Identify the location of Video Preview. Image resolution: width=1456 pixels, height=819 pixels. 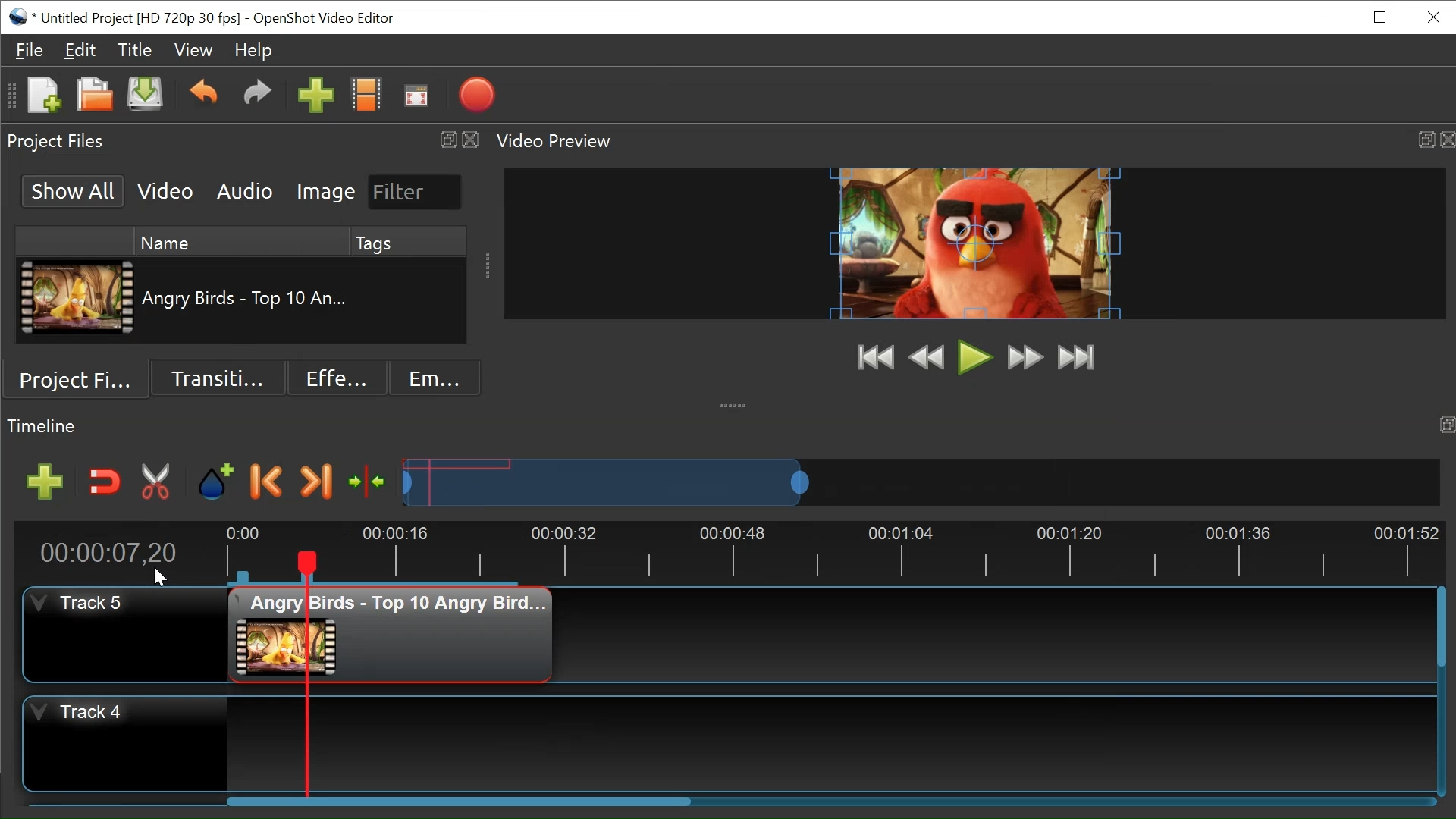
(972, 142).